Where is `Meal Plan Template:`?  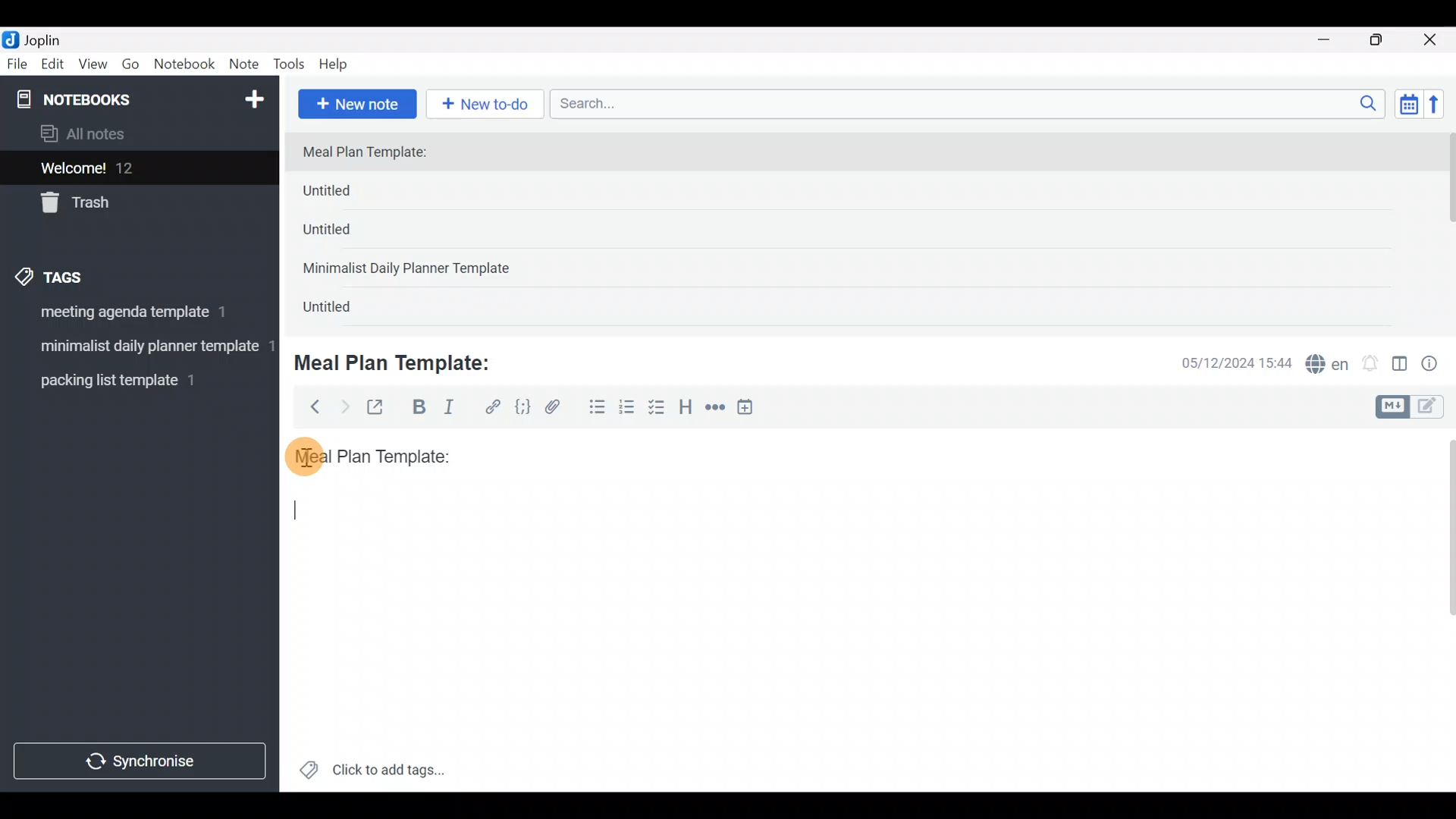
Meal Plan Template: is located at coordinates (374, 153).